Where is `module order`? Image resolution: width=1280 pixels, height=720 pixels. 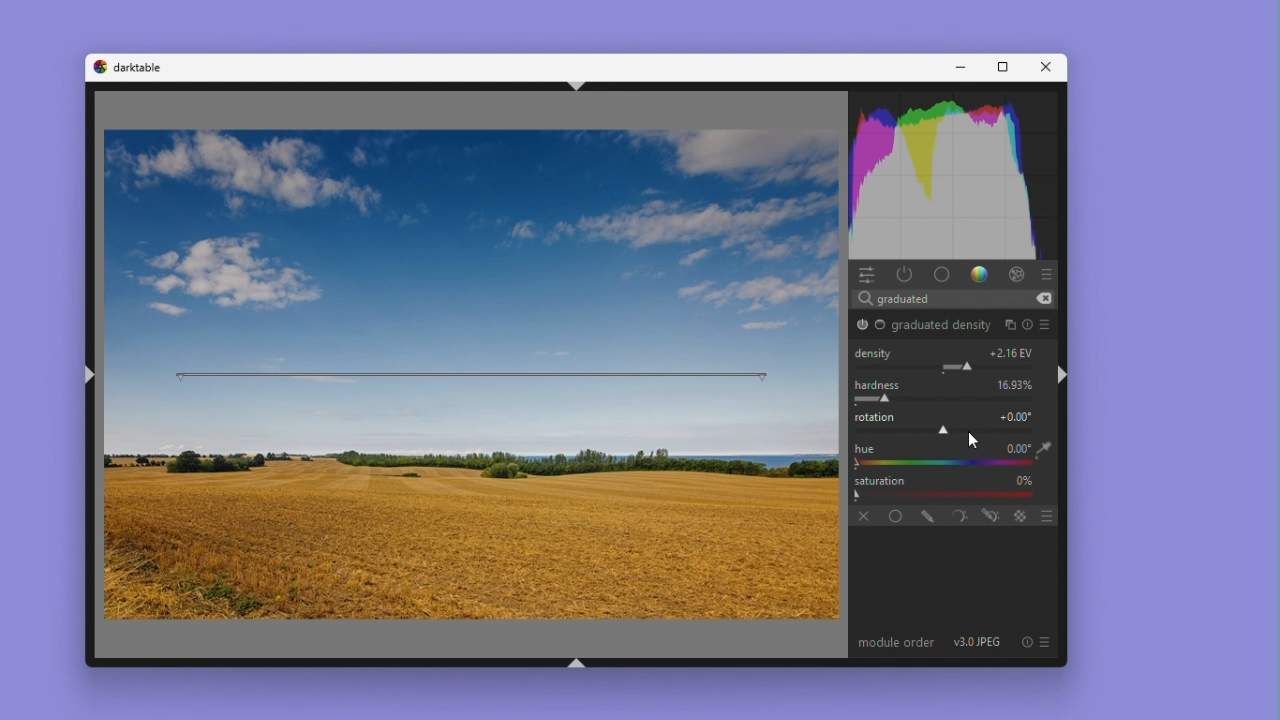
module order is located at coordinates (896, 643).